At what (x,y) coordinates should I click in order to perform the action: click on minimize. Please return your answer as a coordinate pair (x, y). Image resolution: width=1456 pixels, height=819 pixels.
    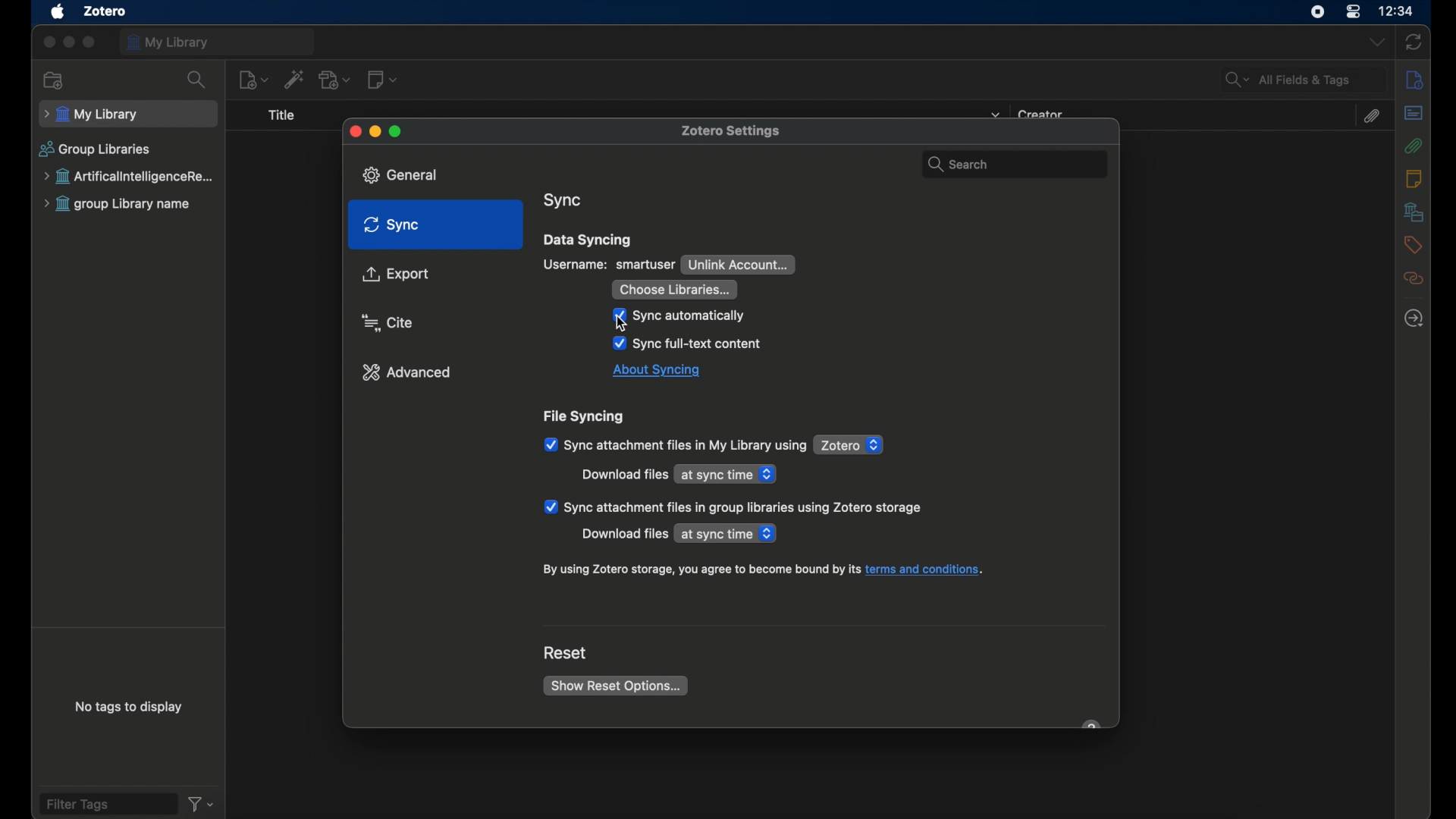
    Looking at the image, I should click on (375, 132).